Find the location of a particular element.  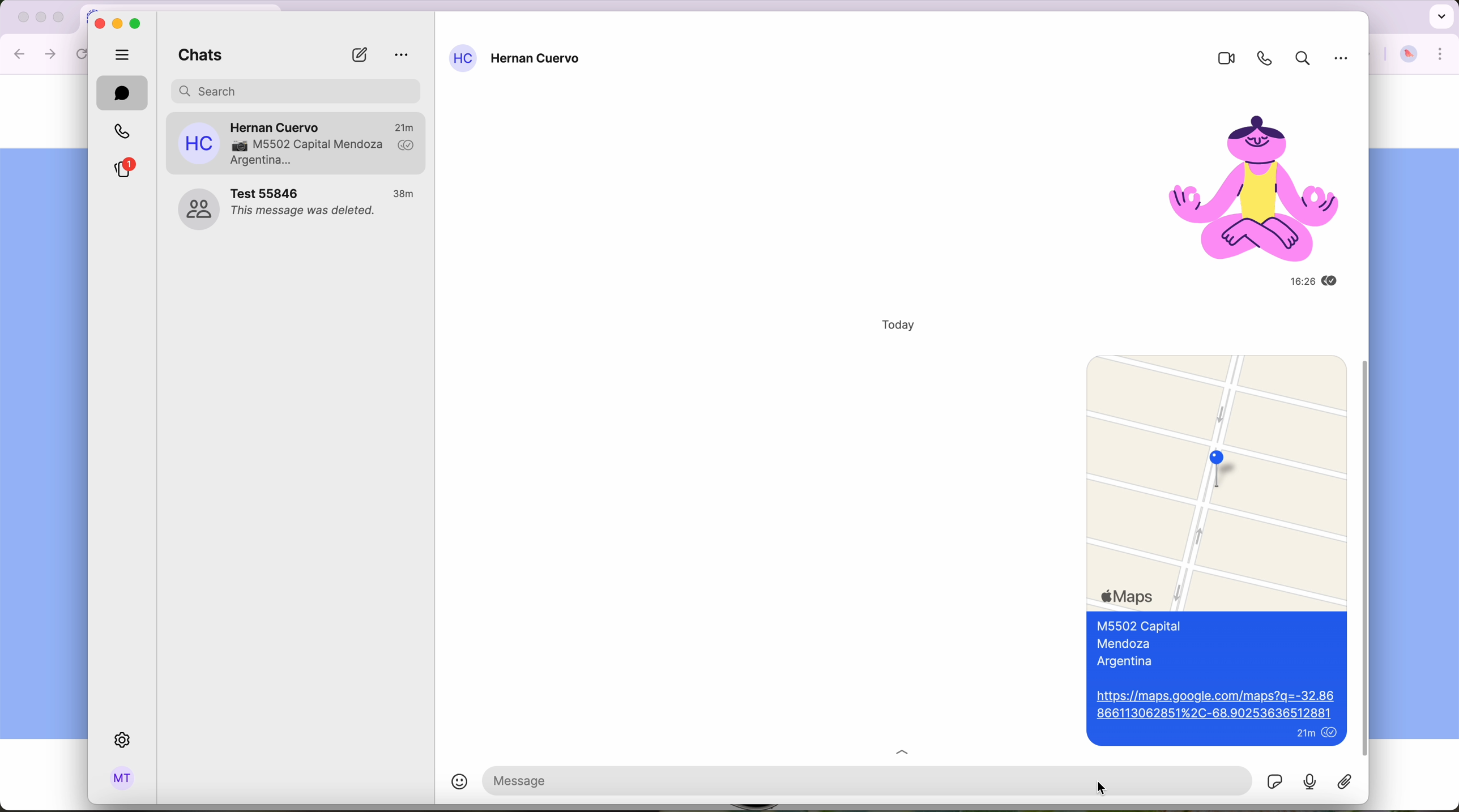

stickers is located at coordinates (1274, 780).